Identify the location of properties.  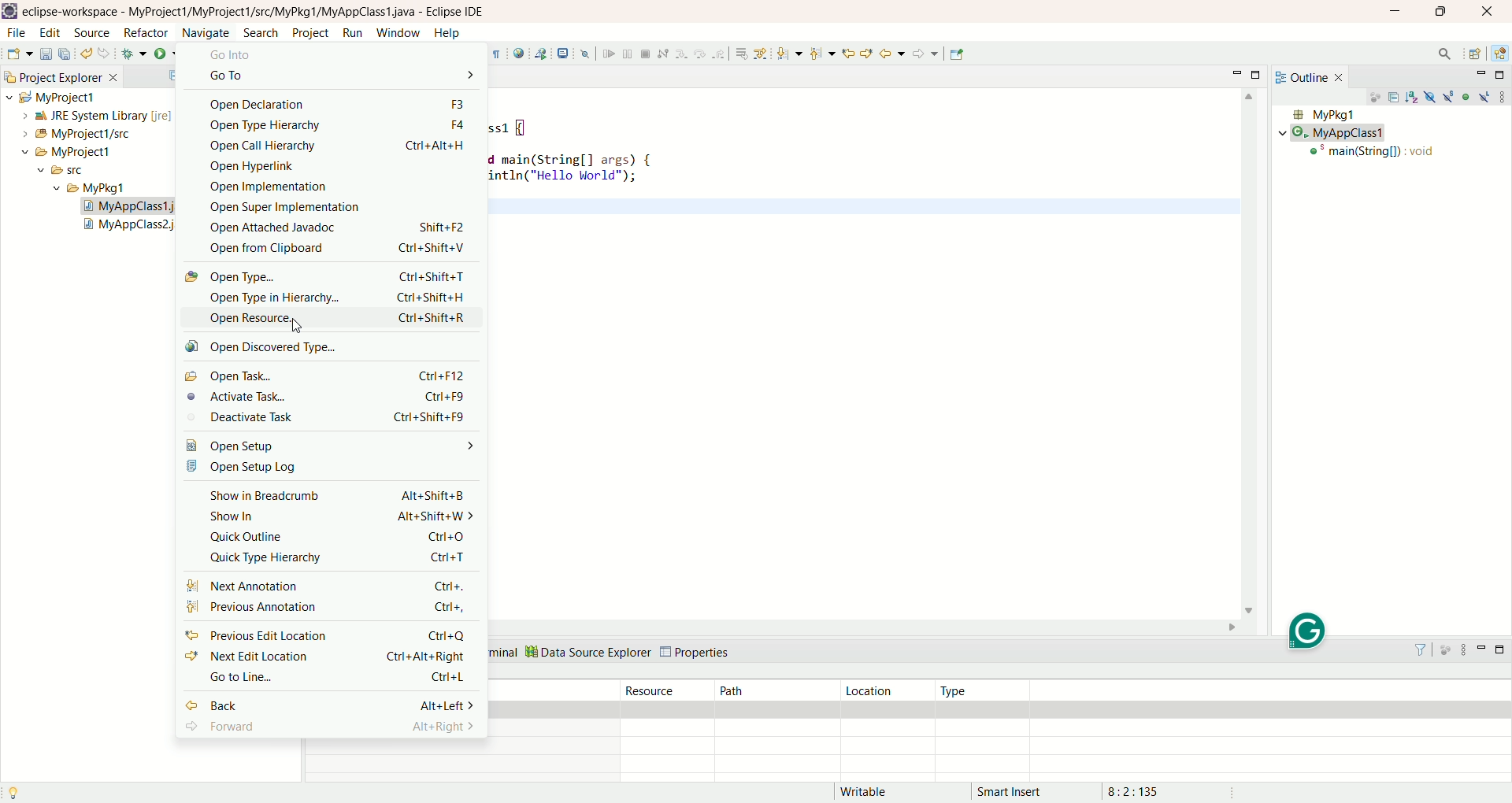
(698, 653).